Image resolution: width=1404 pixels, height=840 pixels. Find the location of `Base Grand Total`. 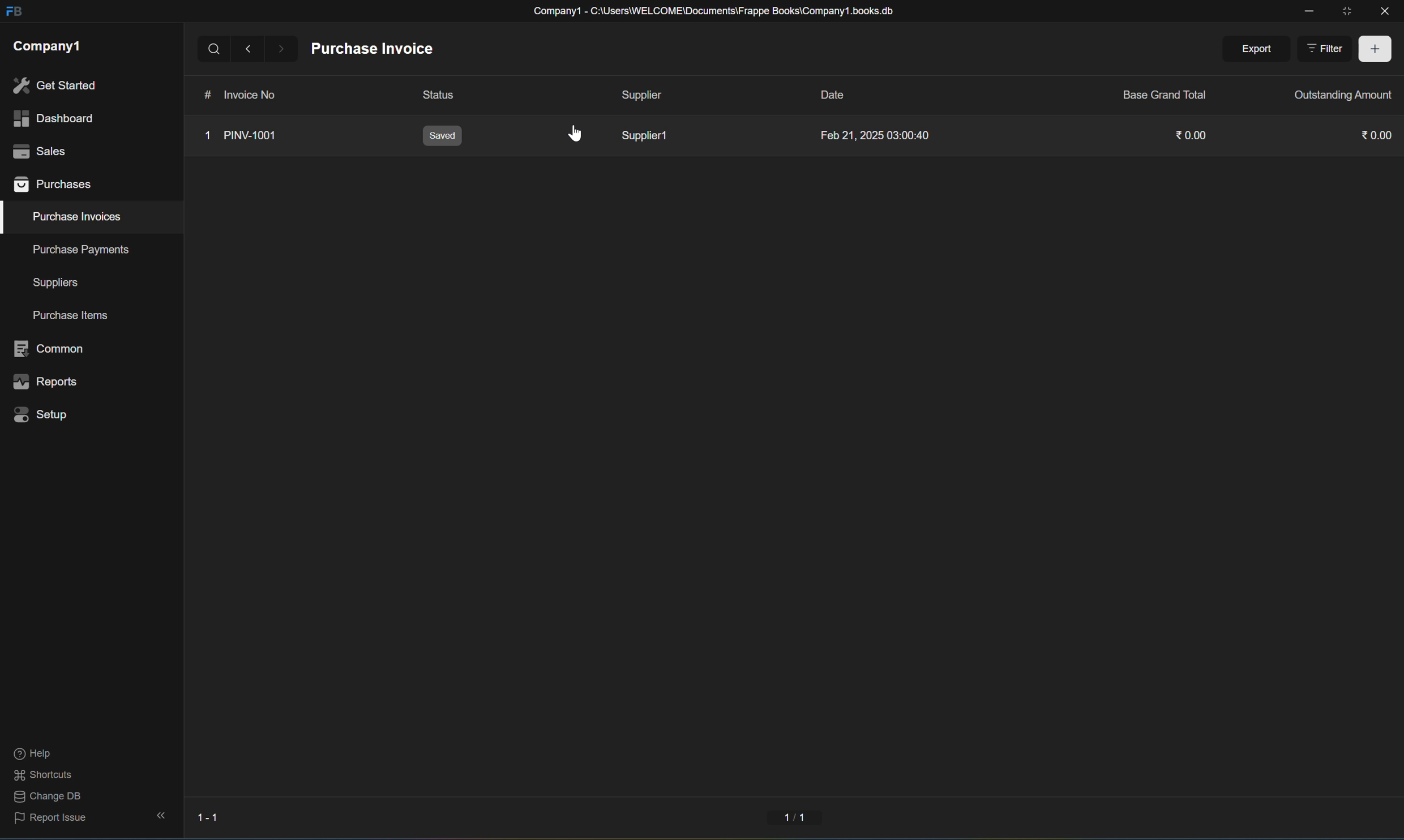

Base Grand Total is located at coordinates (1165, 94).